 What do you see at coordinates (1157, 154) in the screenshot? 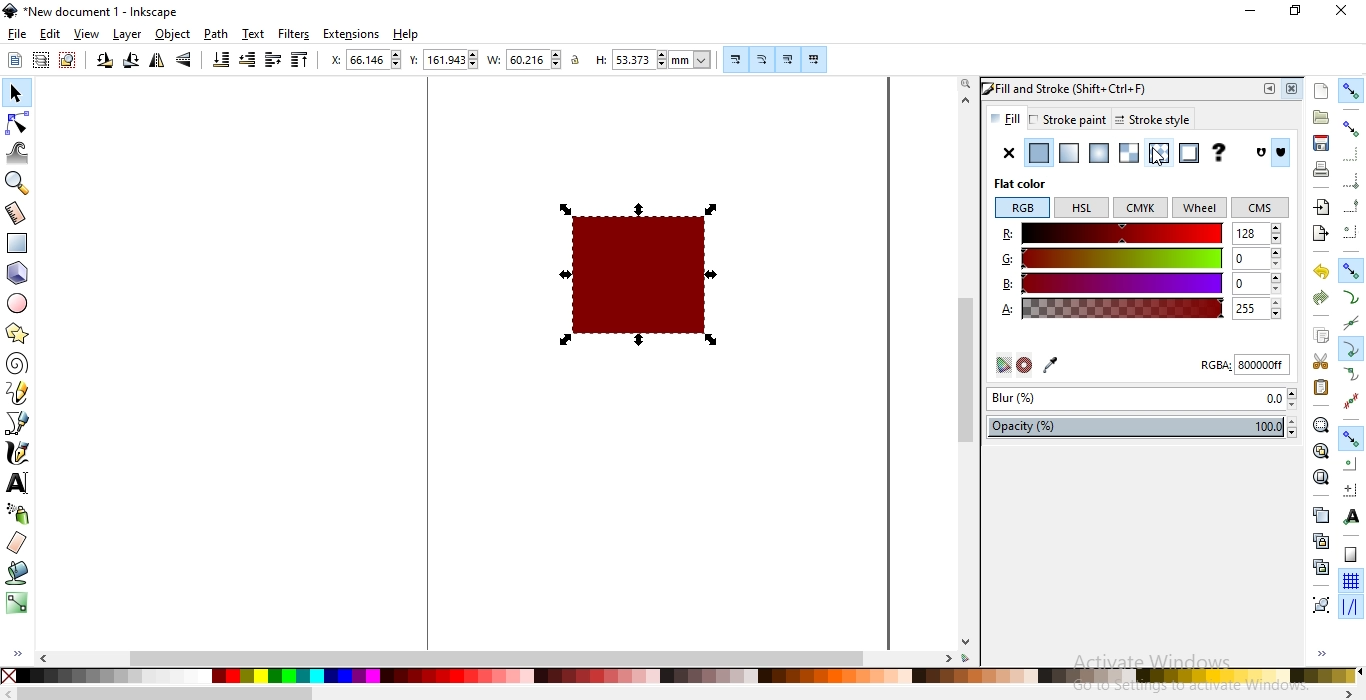
I see `pattern` at bounding box center [1157, 154].